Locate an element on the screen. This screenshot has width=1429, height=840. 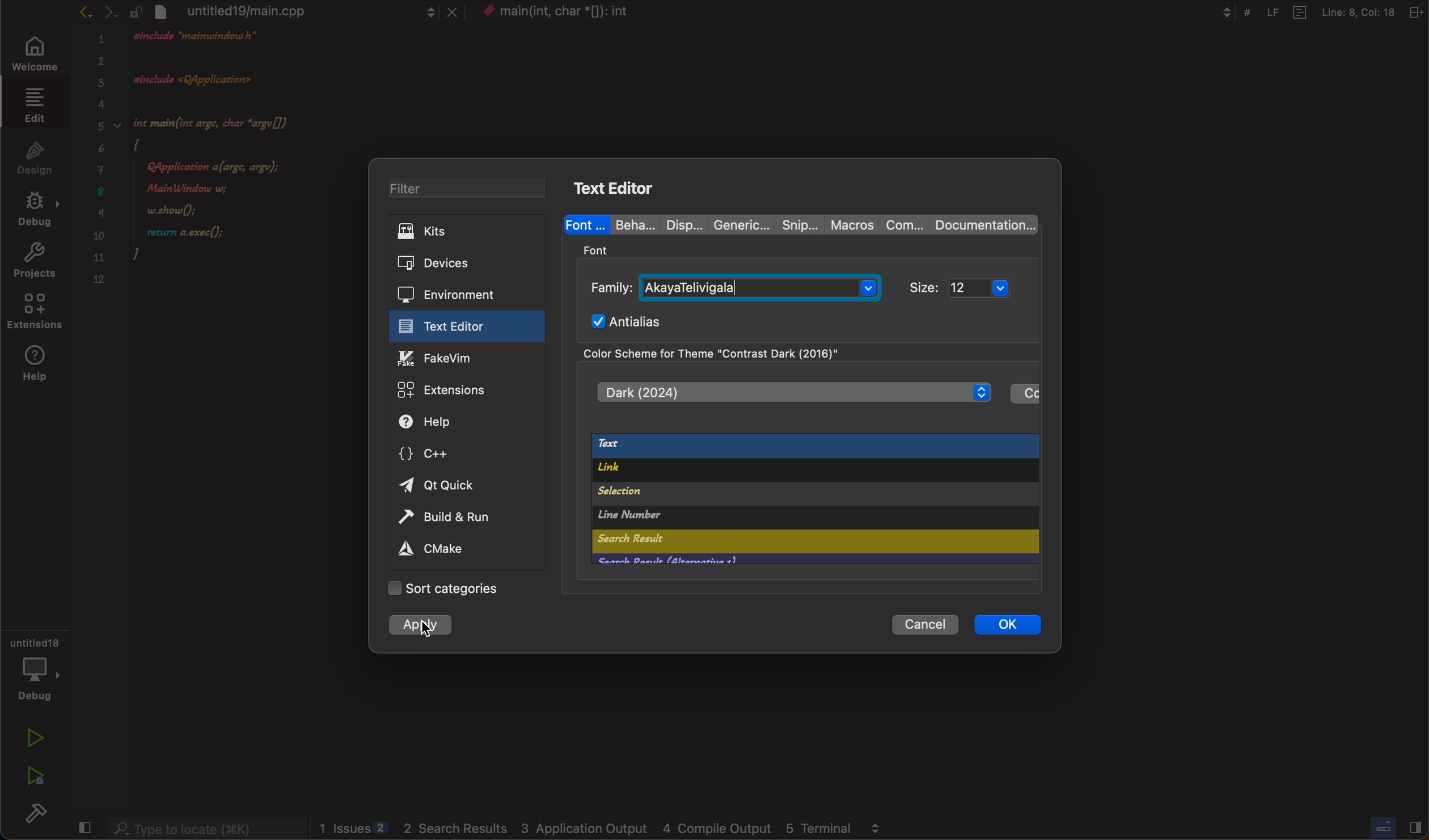
font is located at coordinates (599, 249).